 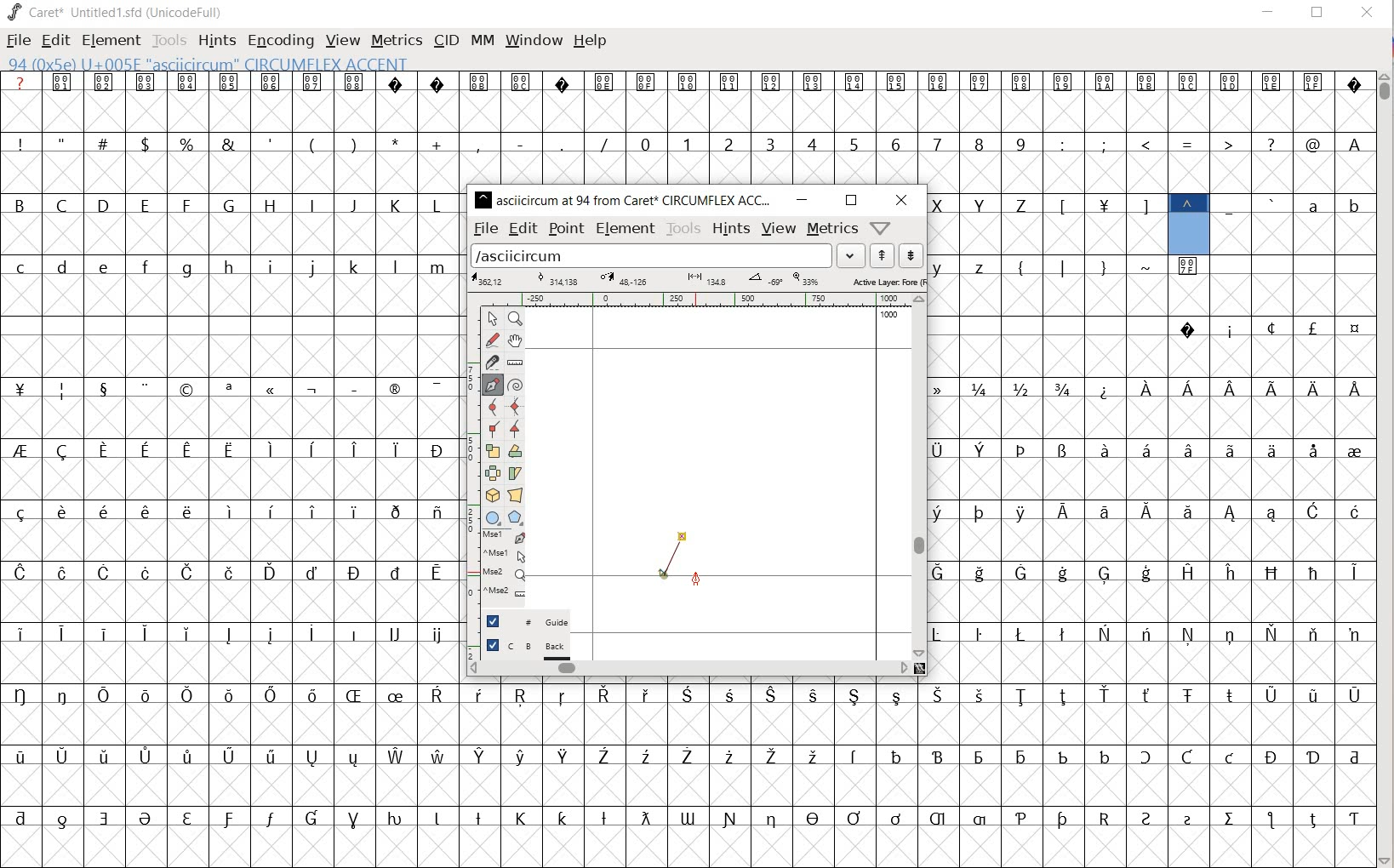 What do you see at coordinates (515, 474) in the screenshot?
I see `skew the selection` at bounding box center [515, 474].